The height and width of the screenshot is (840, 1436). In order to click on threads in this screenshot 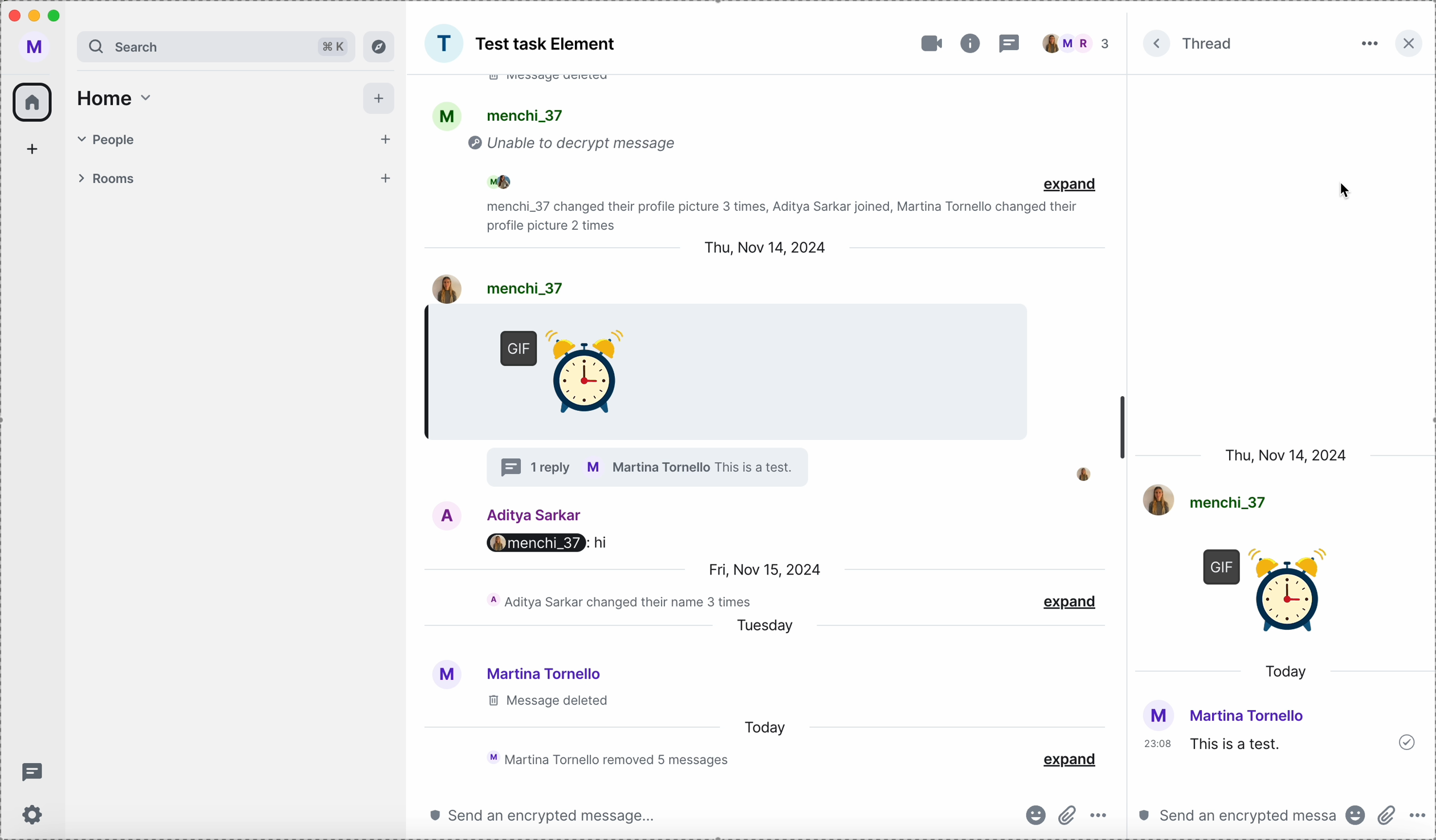, I will do `click(1011, 43)`.